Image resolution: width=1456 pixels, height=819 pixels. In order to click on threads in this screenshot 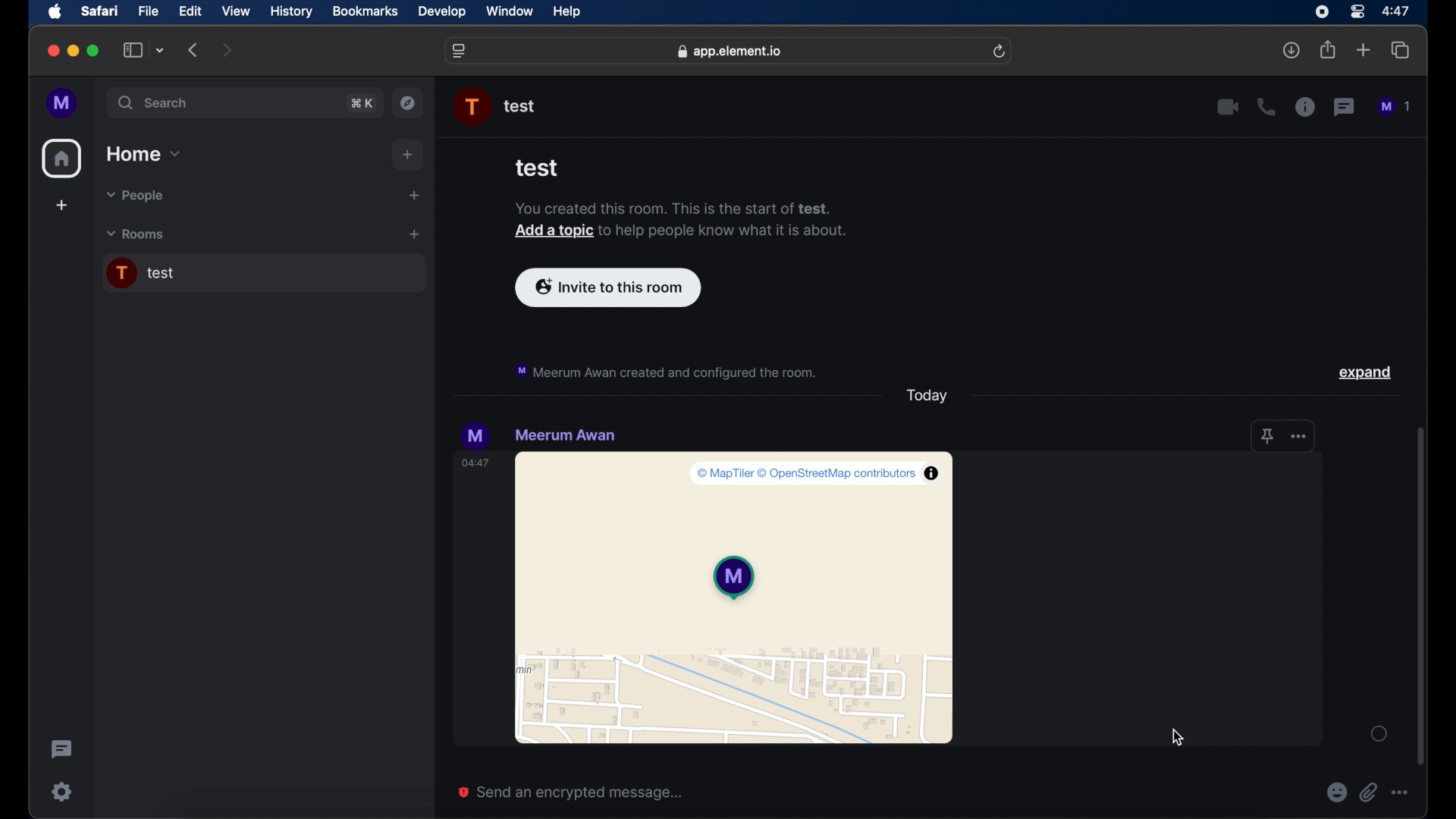, I will do `click(1345, 107)`.